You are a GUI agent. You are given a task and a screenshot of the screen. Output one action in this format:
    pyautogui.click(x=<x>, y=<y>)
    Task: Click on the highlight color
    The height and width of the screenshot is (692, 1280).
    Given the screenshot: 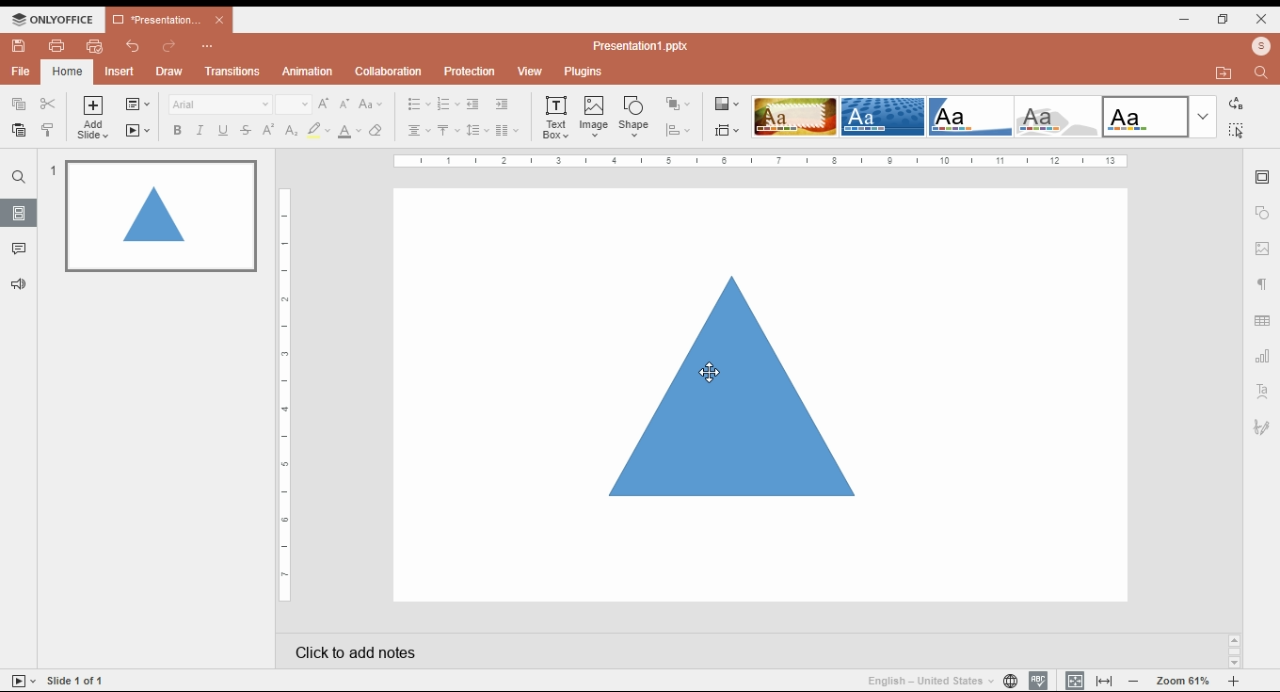 What is the action you would take?
    pyautogui.click(x=318, y=130)
    